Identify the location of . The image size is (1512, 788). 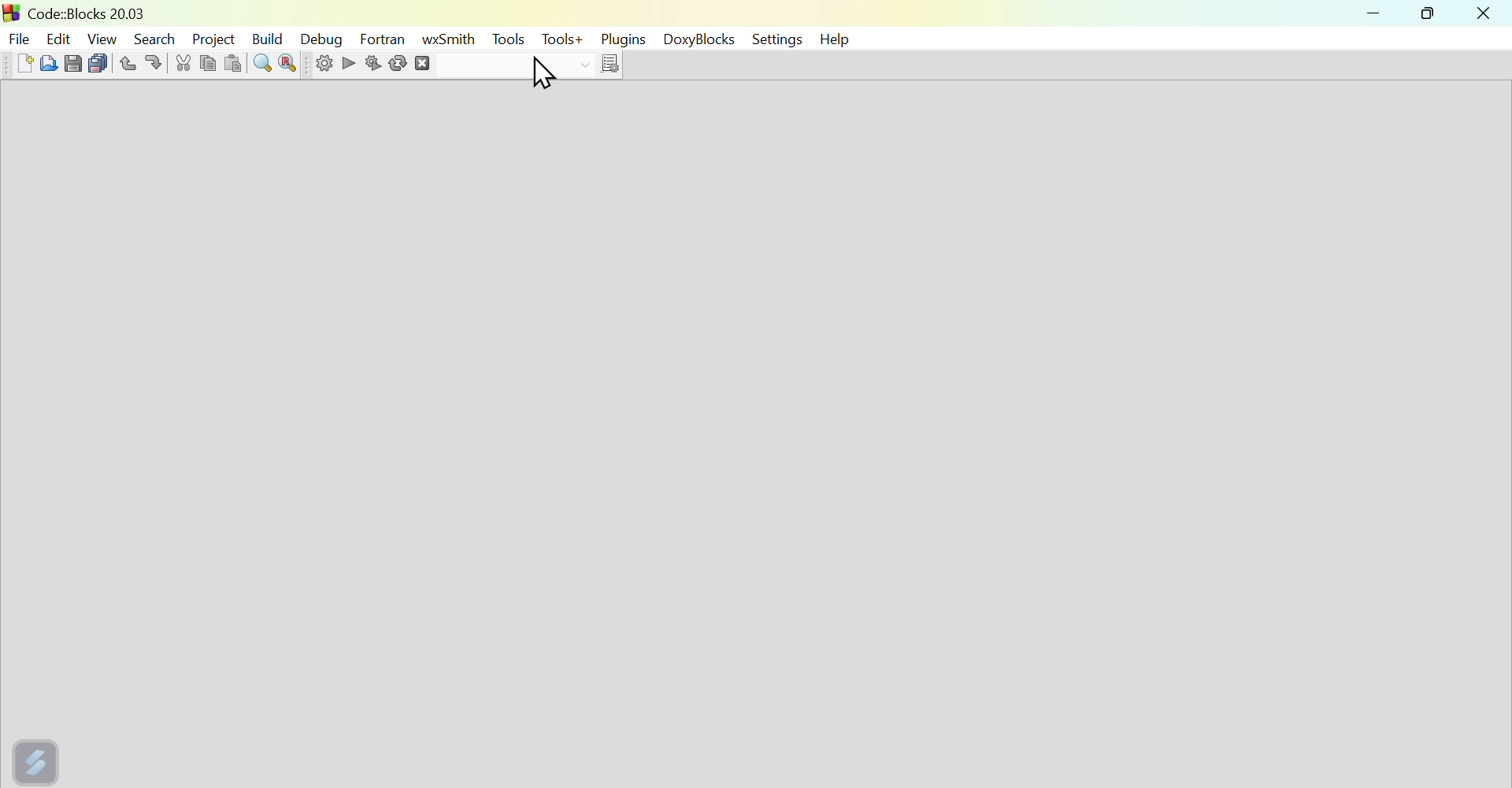
(376, 62).